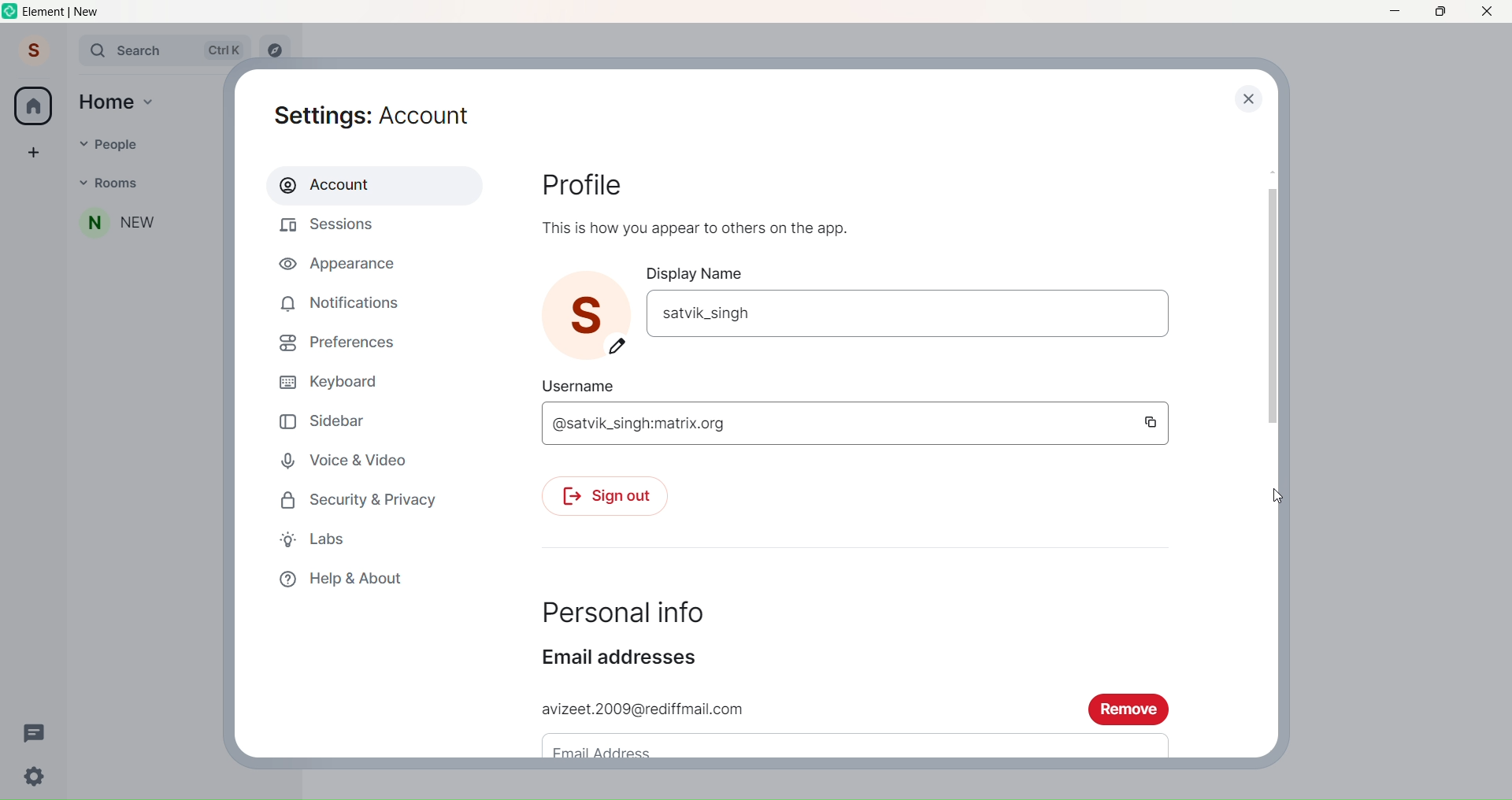 The image size is (1512, 800). Describe the element at coordinates (1131, 710) in the screenshot. I see `Remove` at that location.